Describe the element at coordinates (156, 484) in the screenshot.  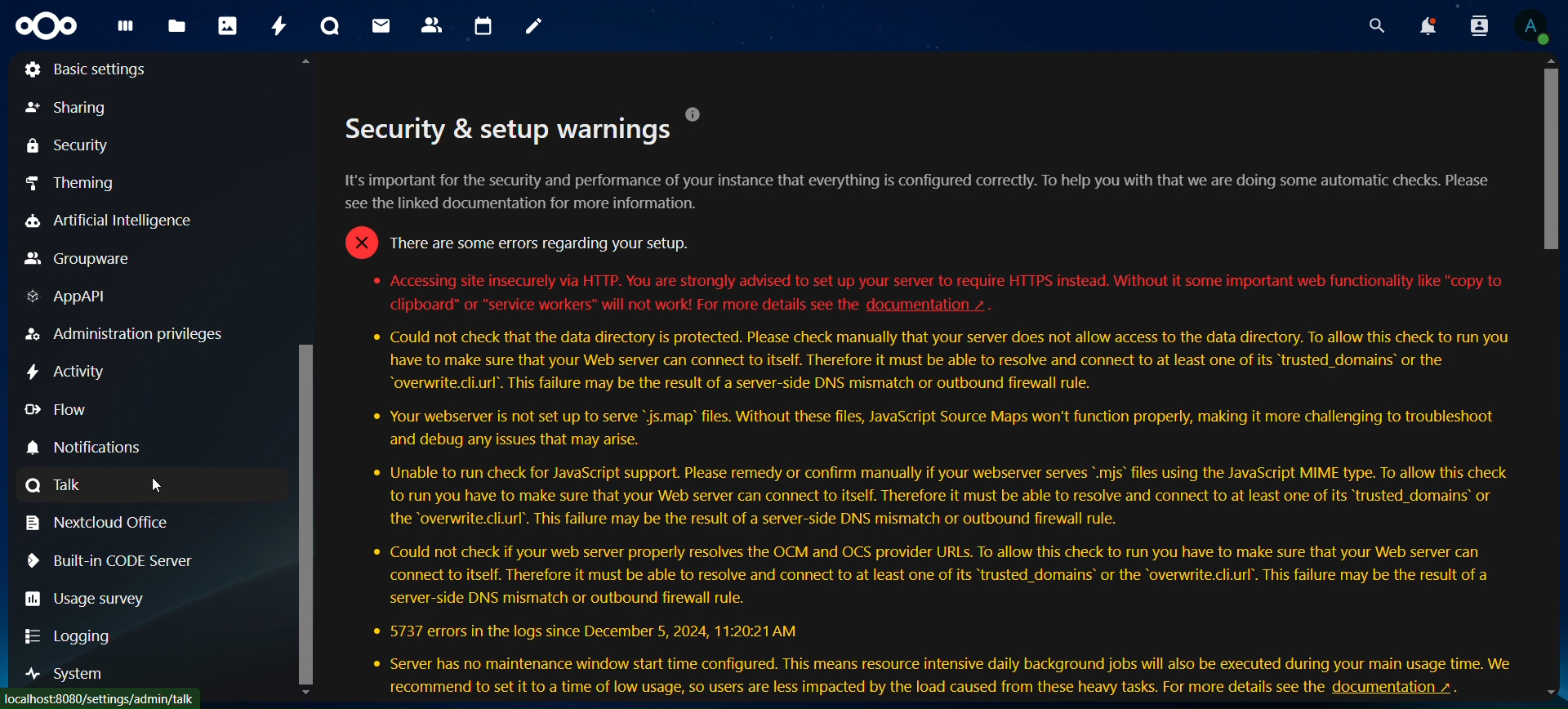
I see `cursor` at that location.